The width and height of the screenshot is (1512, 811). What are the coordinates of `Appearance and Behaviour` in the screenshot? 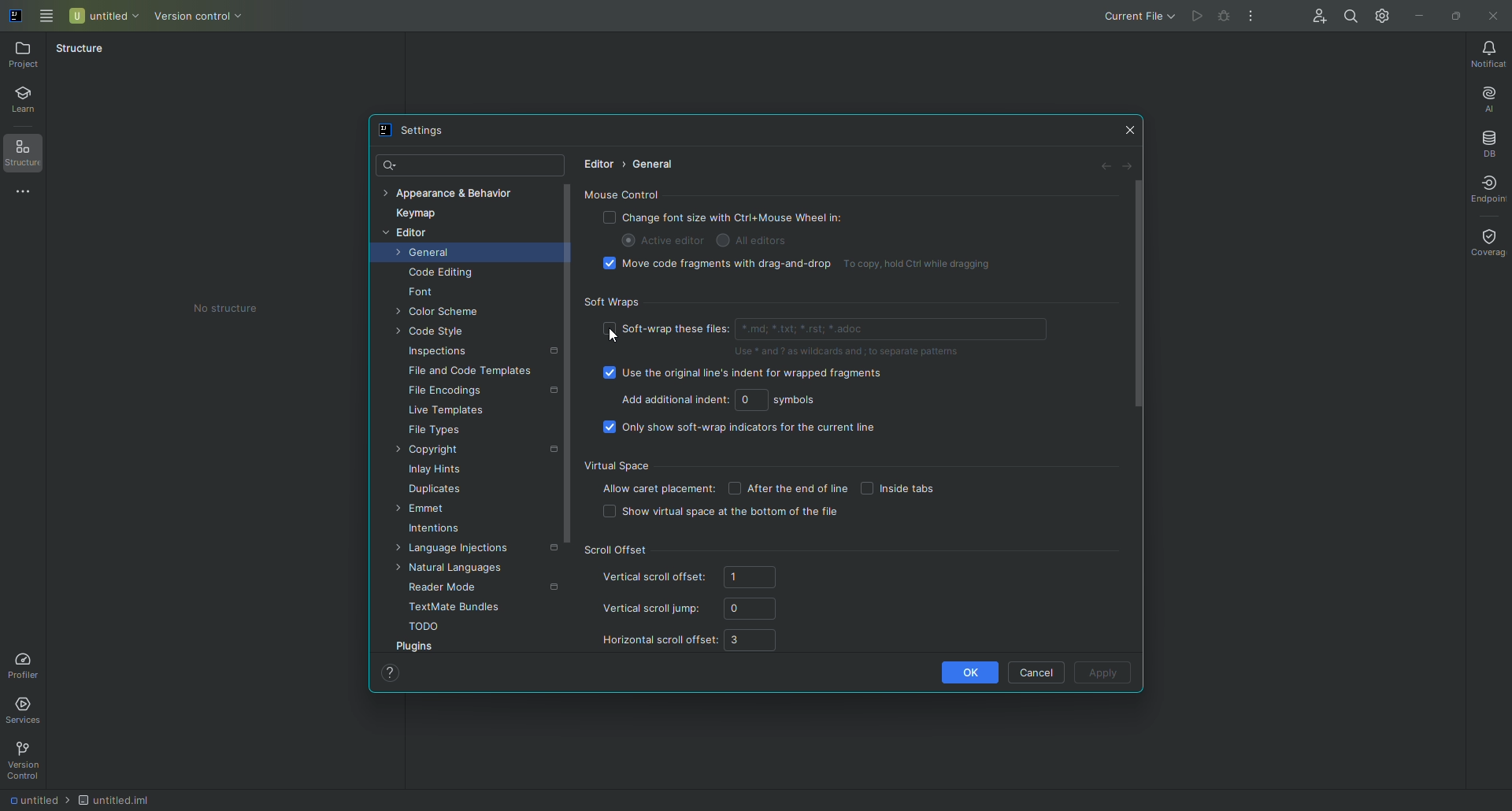 It's located at (455, 194).